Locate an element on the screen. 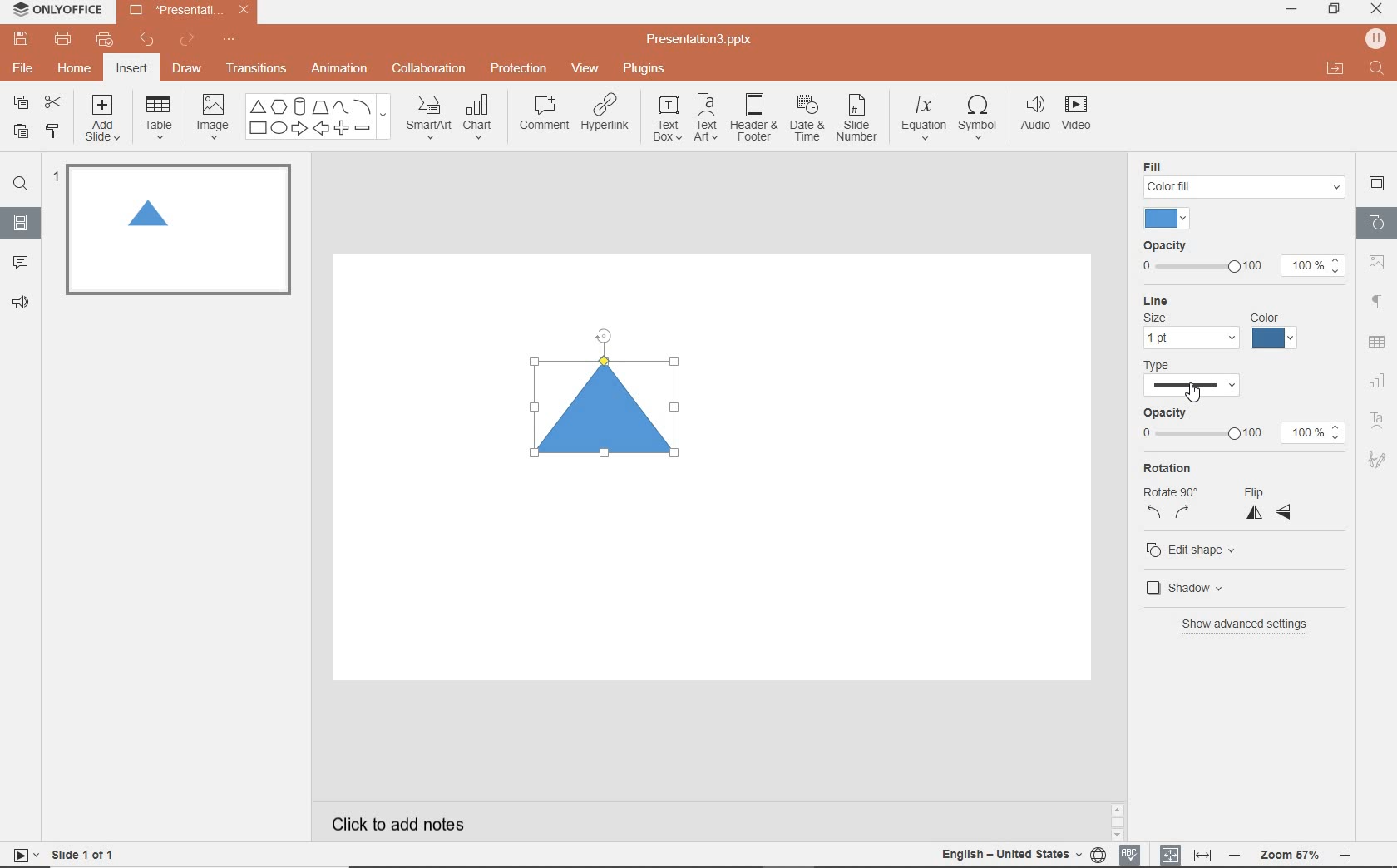  SLIDES is located at coordinates (22, 223).